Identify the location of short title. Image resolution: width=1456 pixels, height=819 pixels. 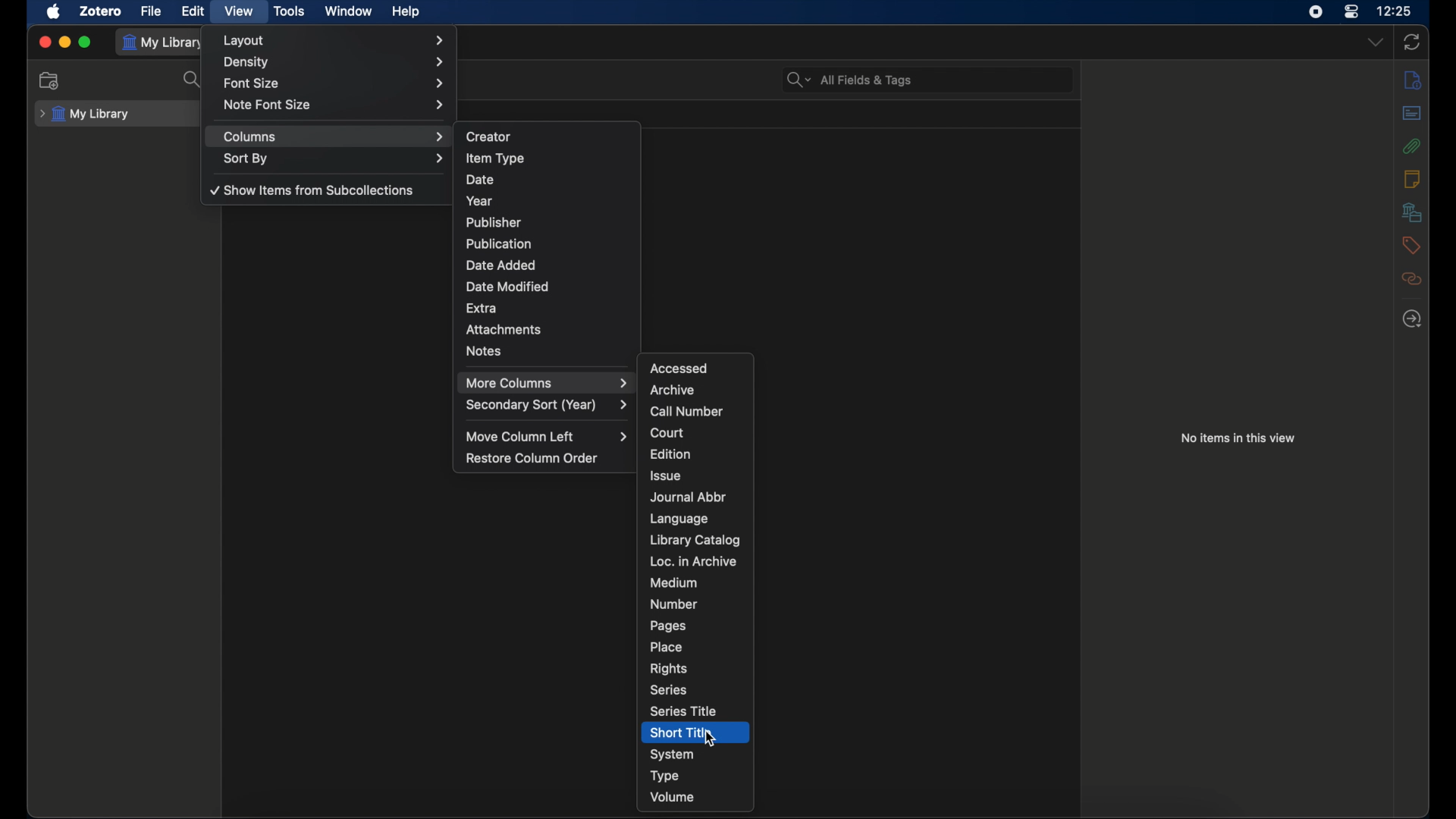
(679, 732).